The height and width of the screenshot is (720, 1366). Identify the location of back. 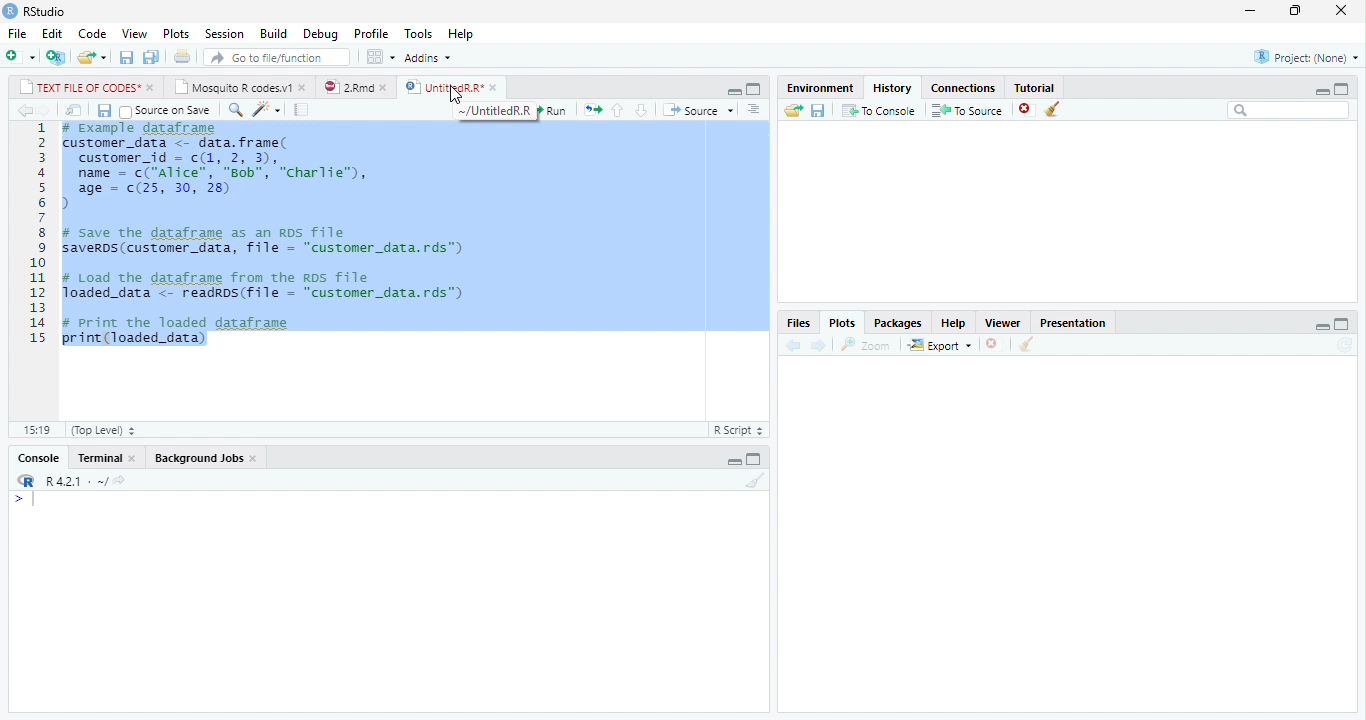
(793, 346).